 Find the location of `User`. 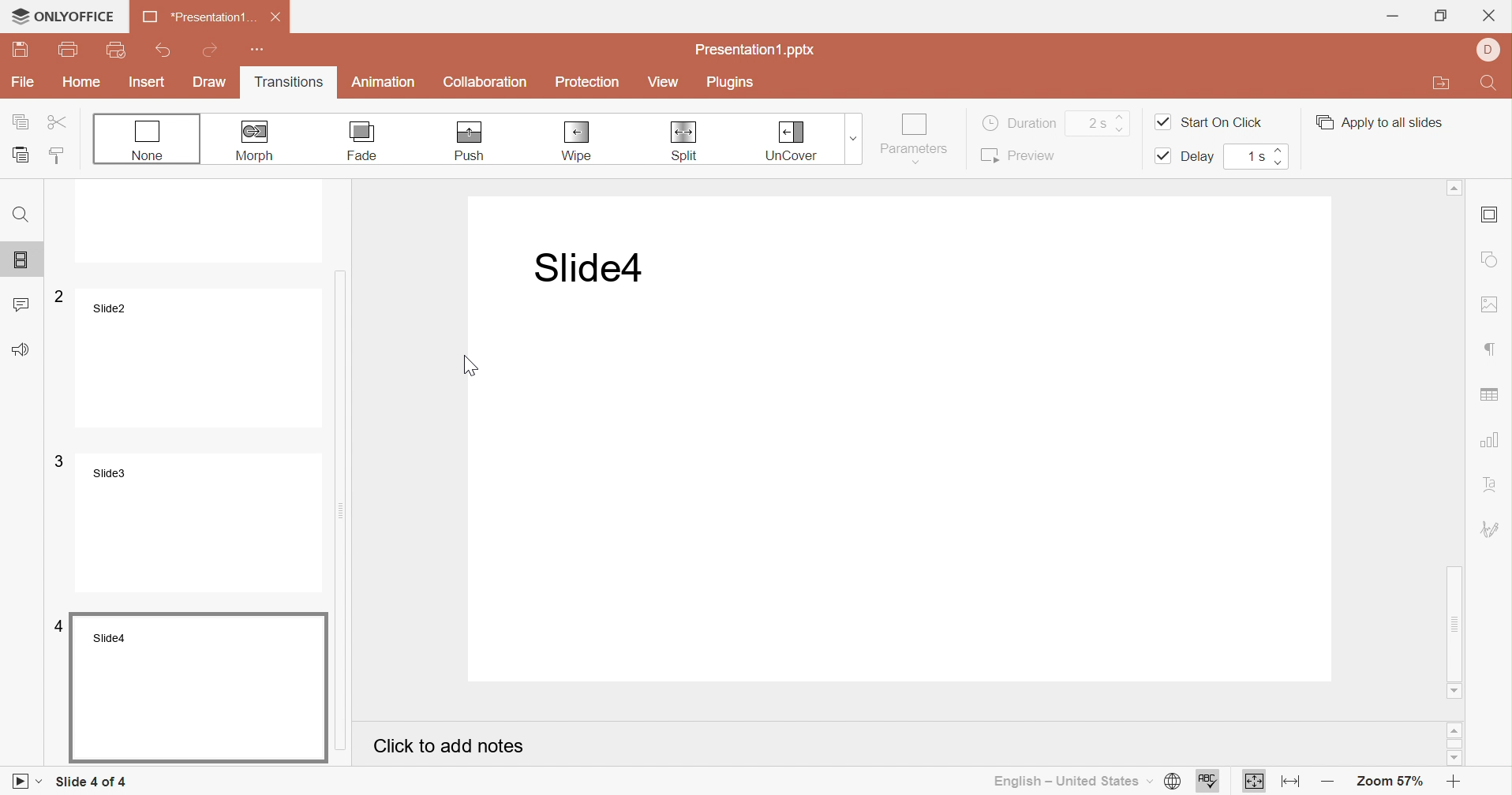

User is located at coordinates (1491, 48).